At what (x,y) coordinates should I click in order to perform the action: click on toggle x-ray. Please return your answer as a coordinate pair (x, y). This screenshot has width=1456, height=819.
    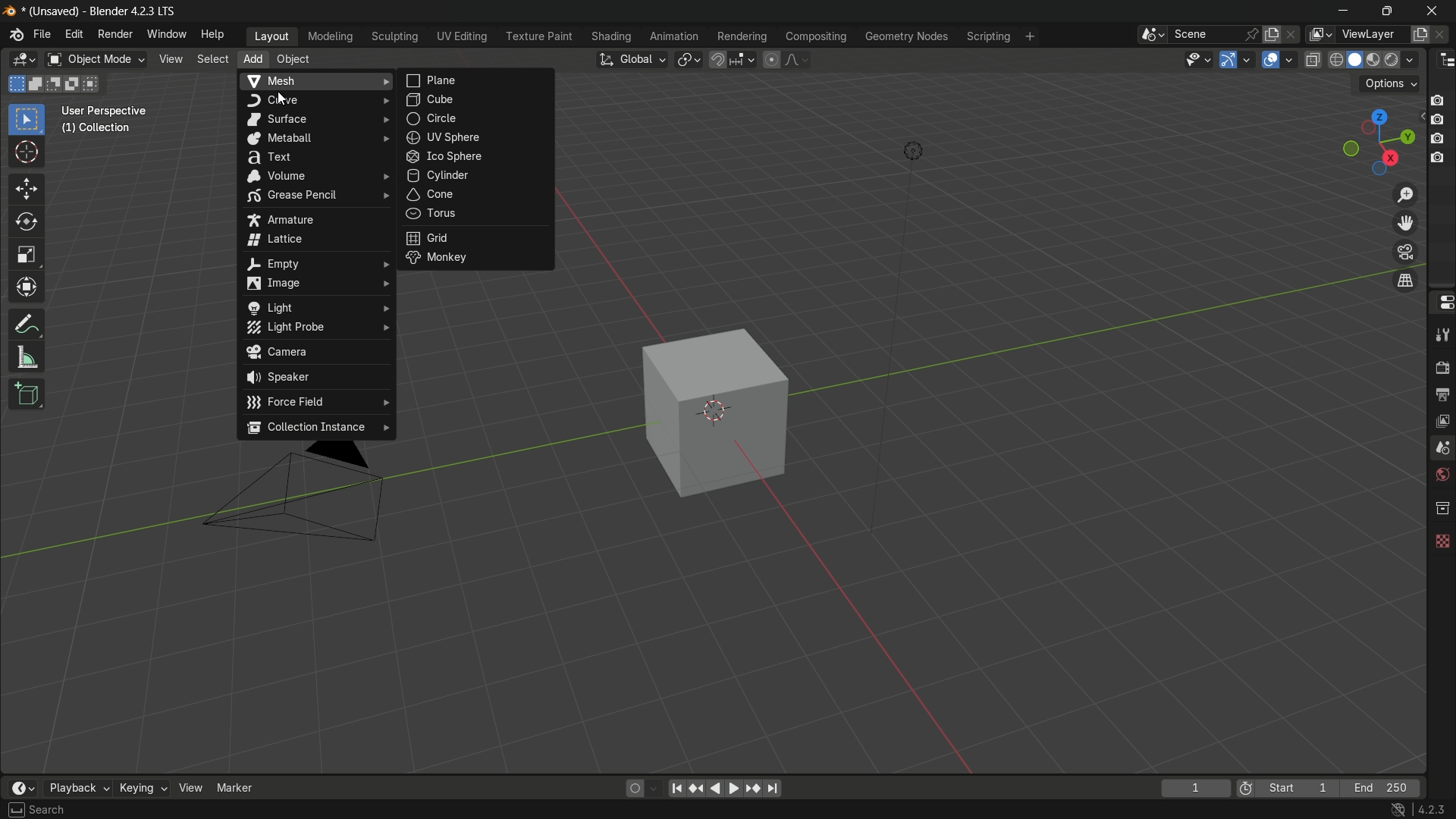
    Looking at the image, I should click on (1313, 59).